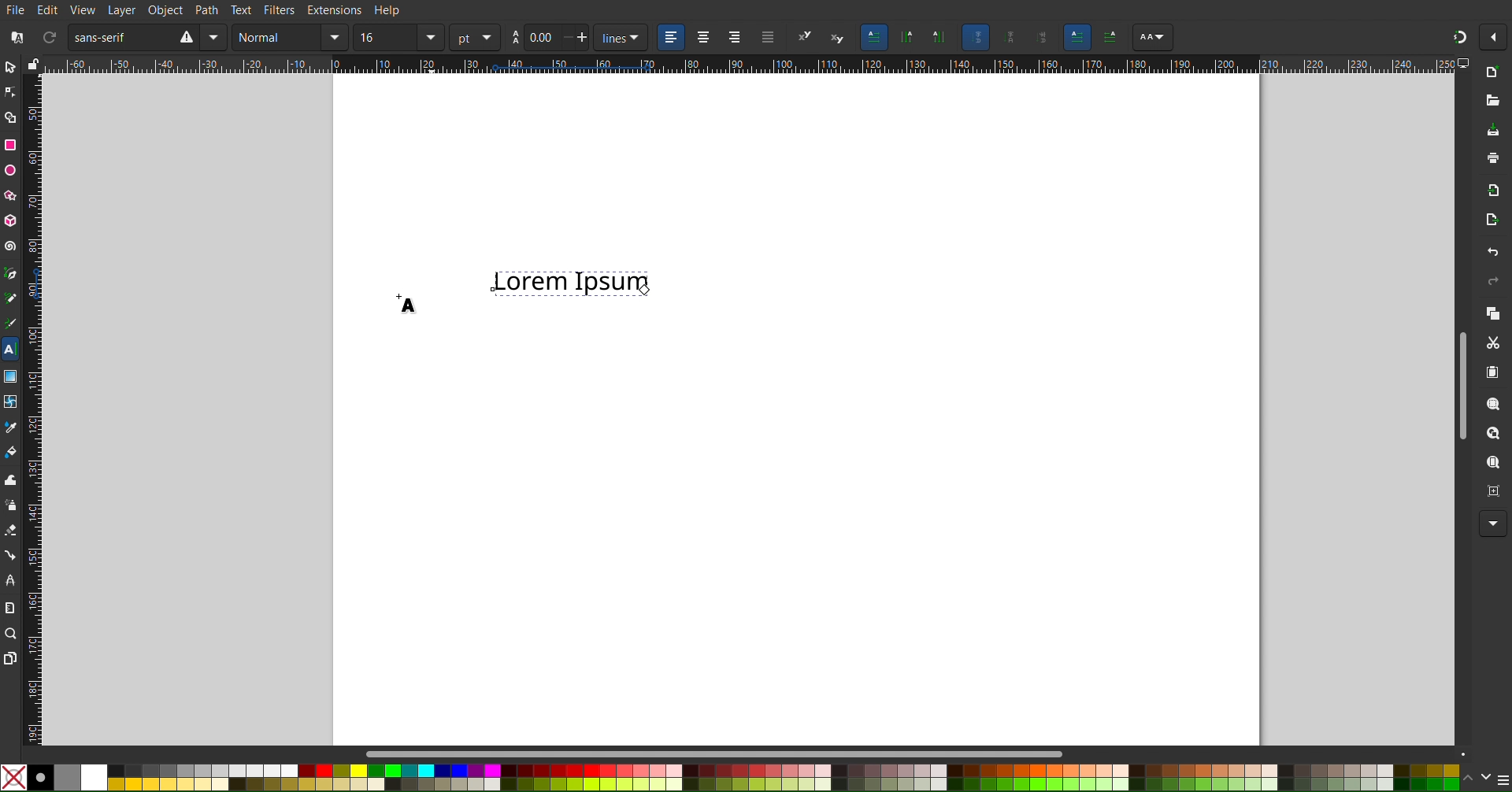 This screenshot has height=792, width=1512. What do you see at coordinates (729, 778) in the screenshot?
I see `Color` at bounding box center [729, 778].